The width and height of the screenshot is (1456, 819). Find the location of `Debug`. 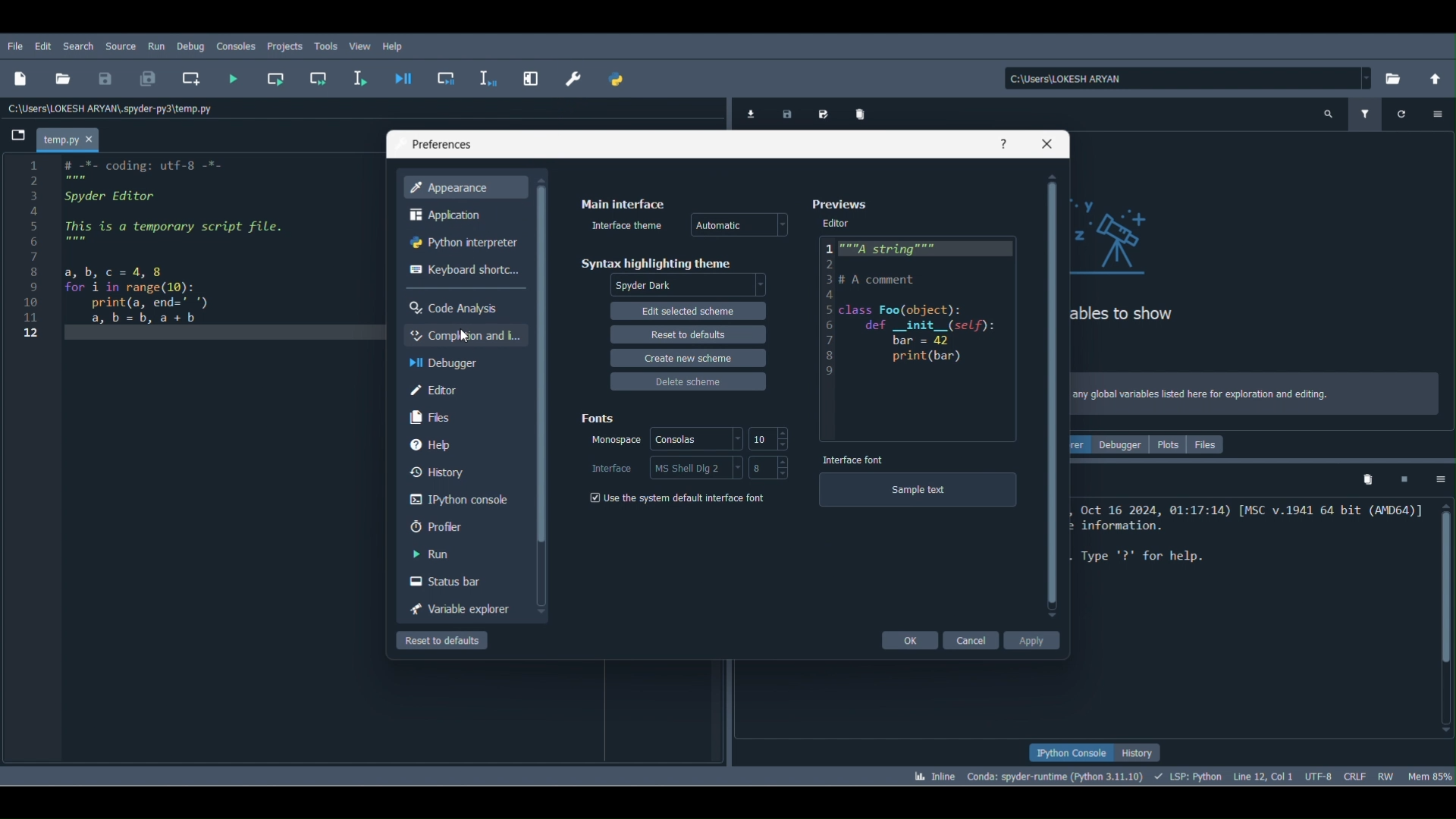

Debug is located at coordinates (191, 47).